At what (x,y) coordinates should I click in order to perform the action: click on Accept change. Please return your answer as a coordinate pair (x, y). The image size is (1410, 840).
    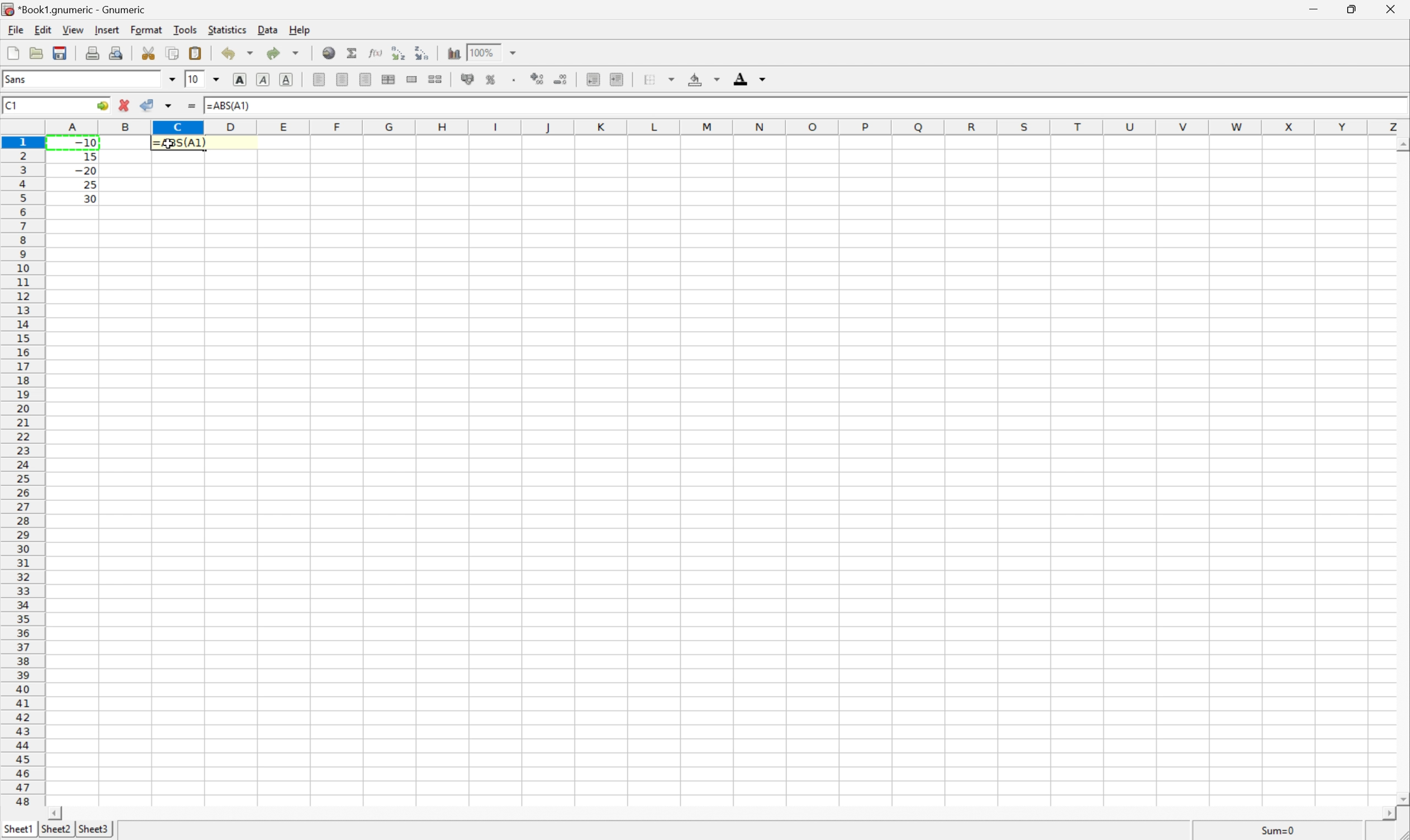
    Looking at the image, I should click on (148, 105).